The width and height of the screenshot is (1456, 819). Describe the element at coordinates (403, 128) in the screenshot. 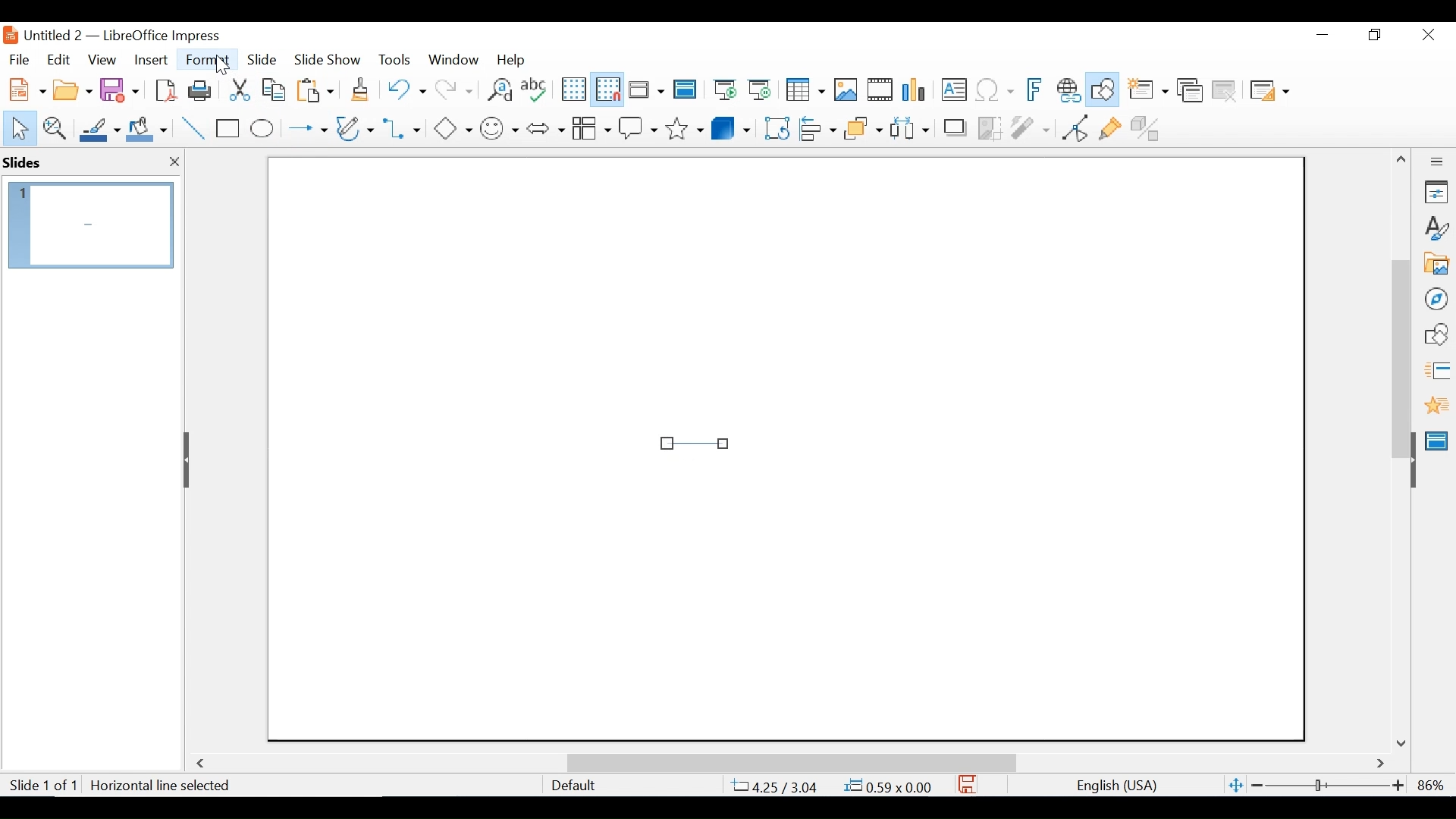

I see `Connectors` at that location.